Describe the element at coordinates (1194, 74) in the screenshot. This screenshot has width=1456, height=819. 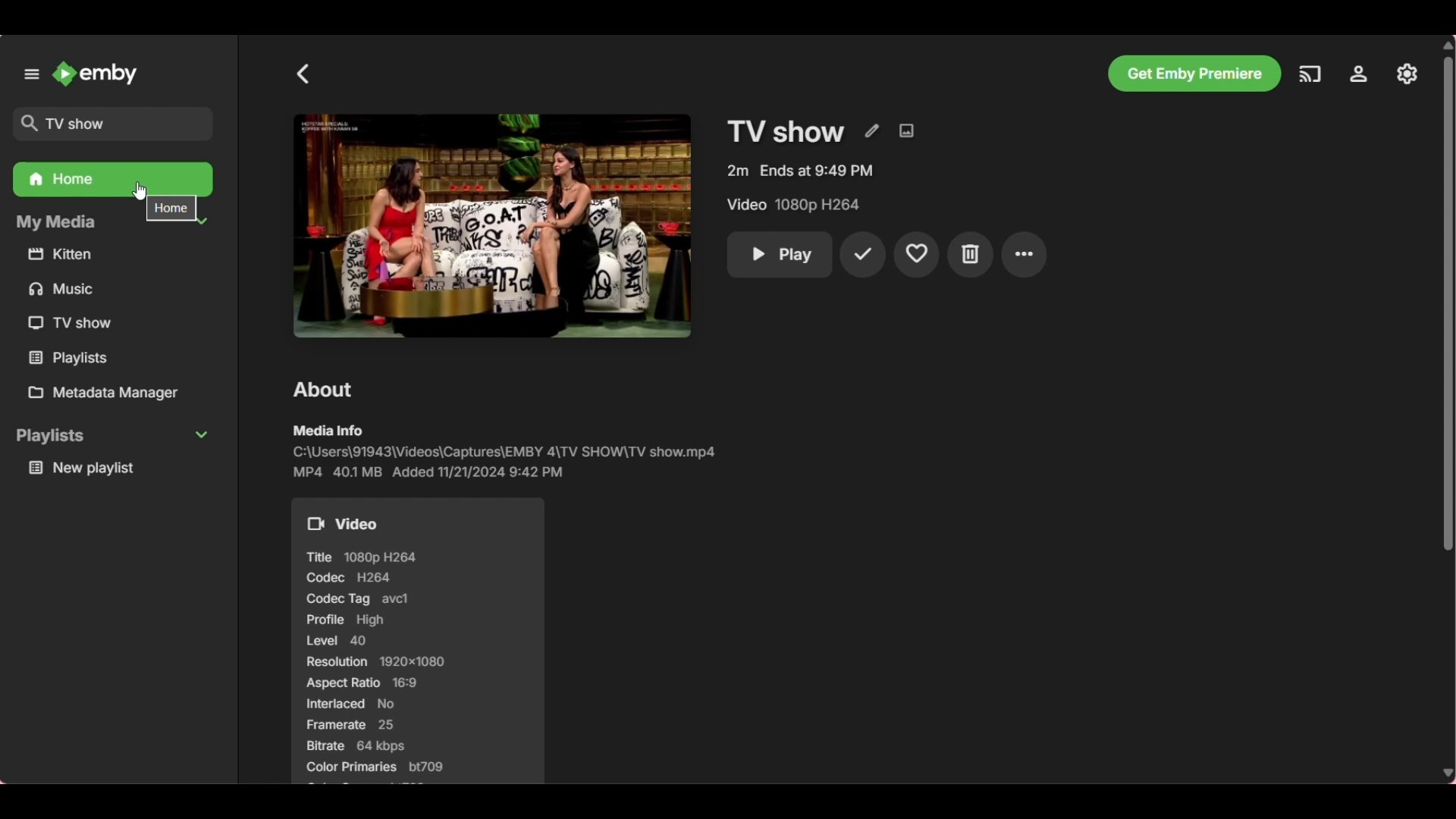
I see `Get Emby premiere` at that location.